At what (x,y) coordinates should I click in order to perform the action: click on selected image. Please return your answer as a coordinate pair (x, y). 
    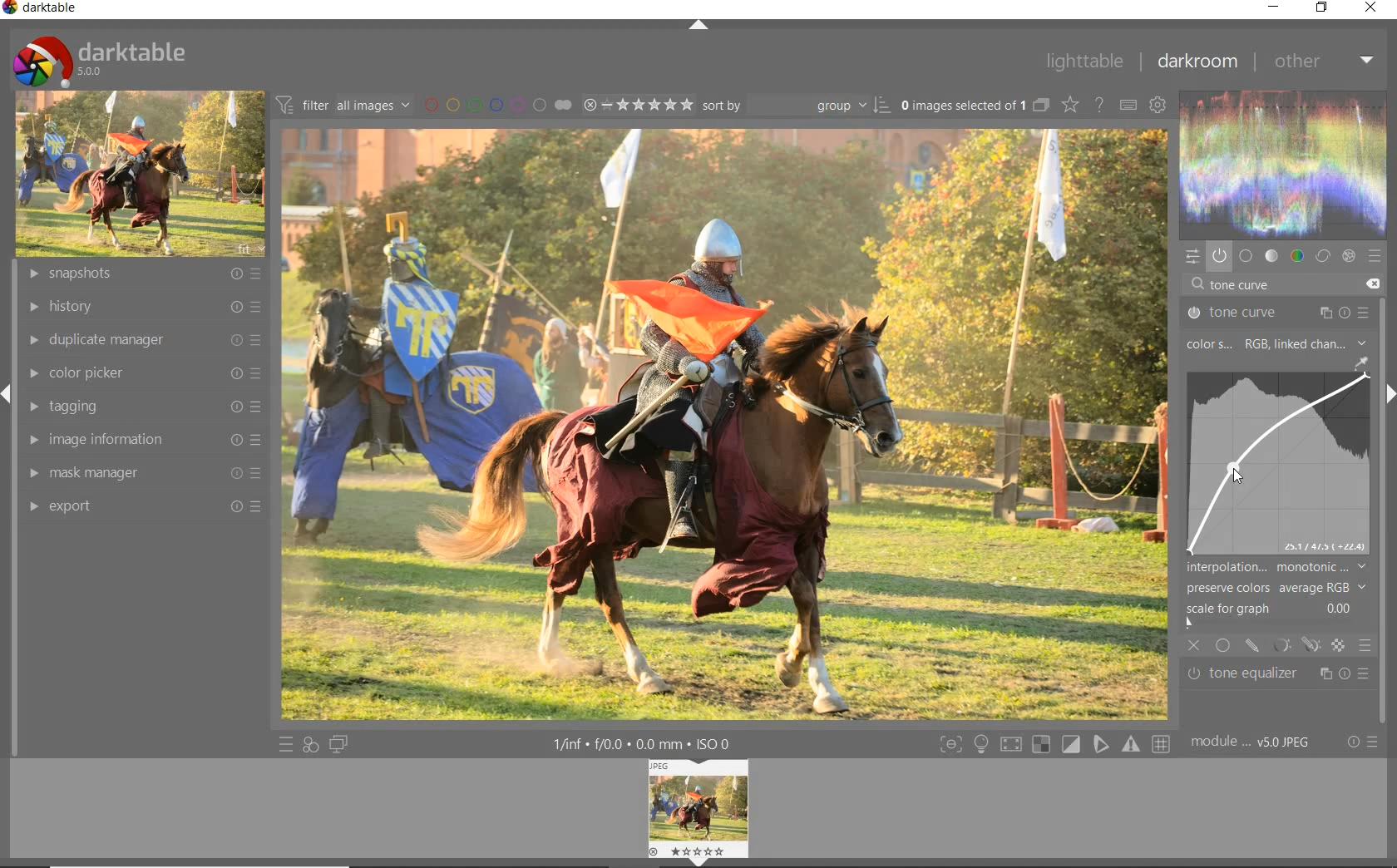
    Looking at the image, I should click on (722, 423).